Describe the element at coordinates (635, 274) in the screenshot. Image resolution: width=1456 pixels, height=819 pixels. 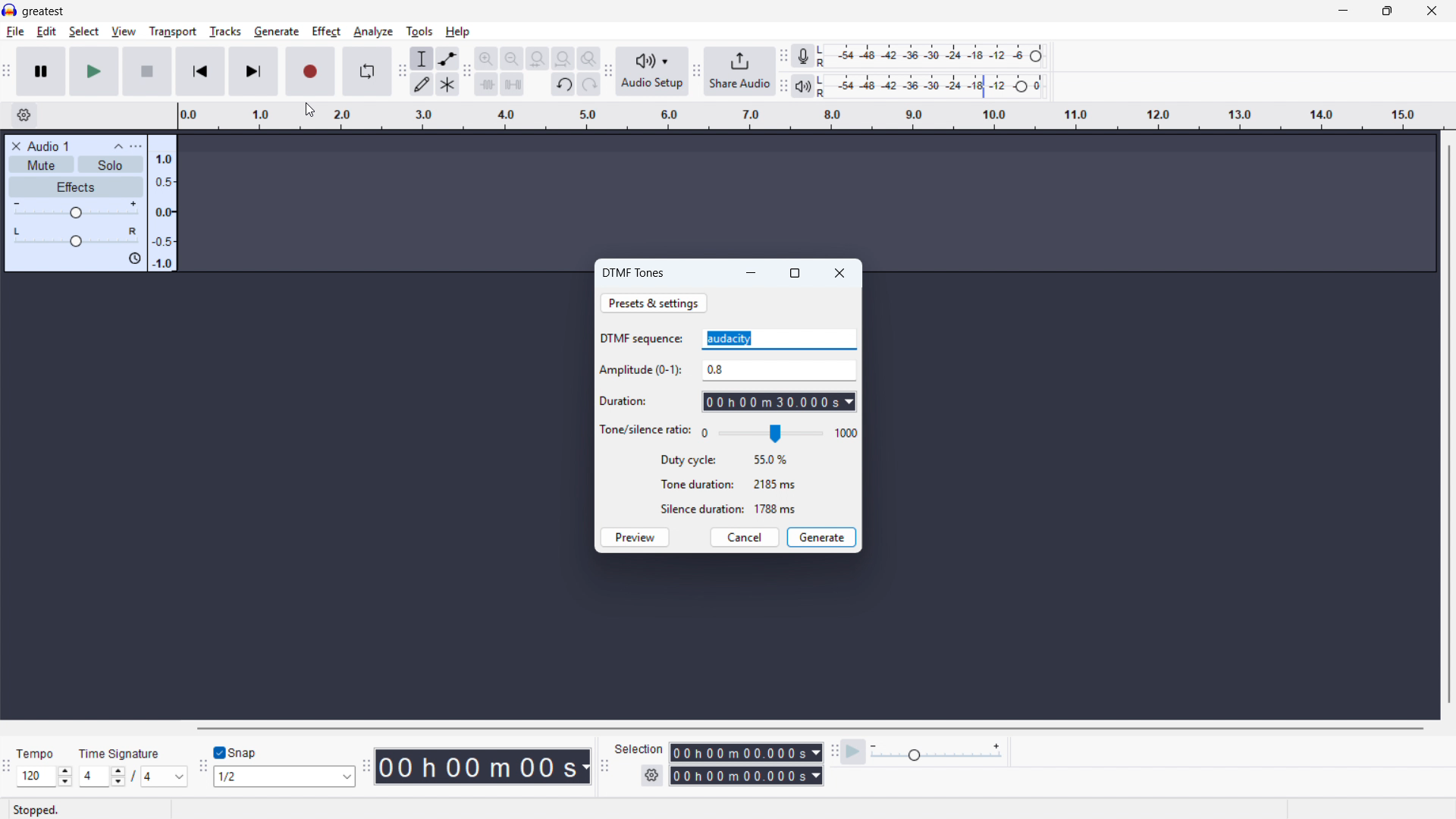
I see `DTMF tones ` at that location.